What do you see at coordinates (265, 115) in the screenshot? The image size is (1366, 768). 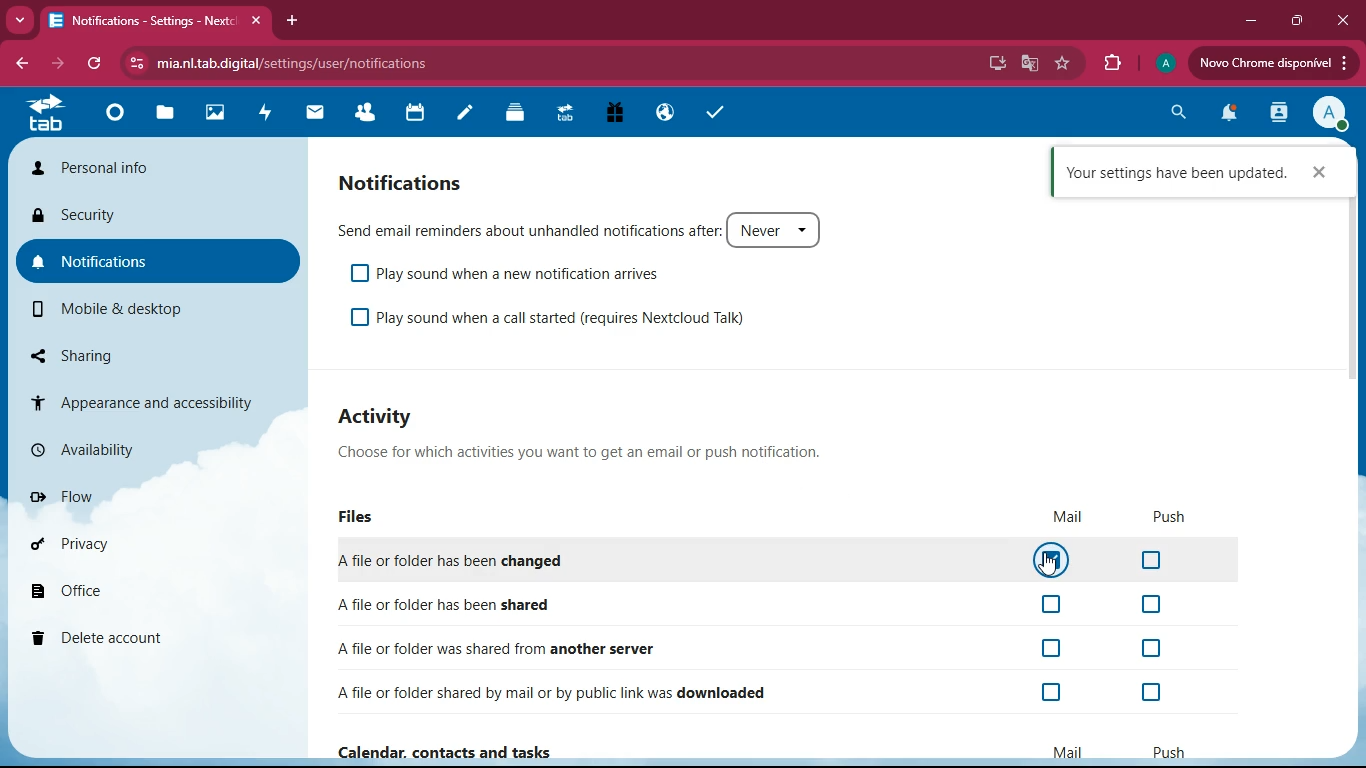 I see `activity` at bounding box center [265, 115].